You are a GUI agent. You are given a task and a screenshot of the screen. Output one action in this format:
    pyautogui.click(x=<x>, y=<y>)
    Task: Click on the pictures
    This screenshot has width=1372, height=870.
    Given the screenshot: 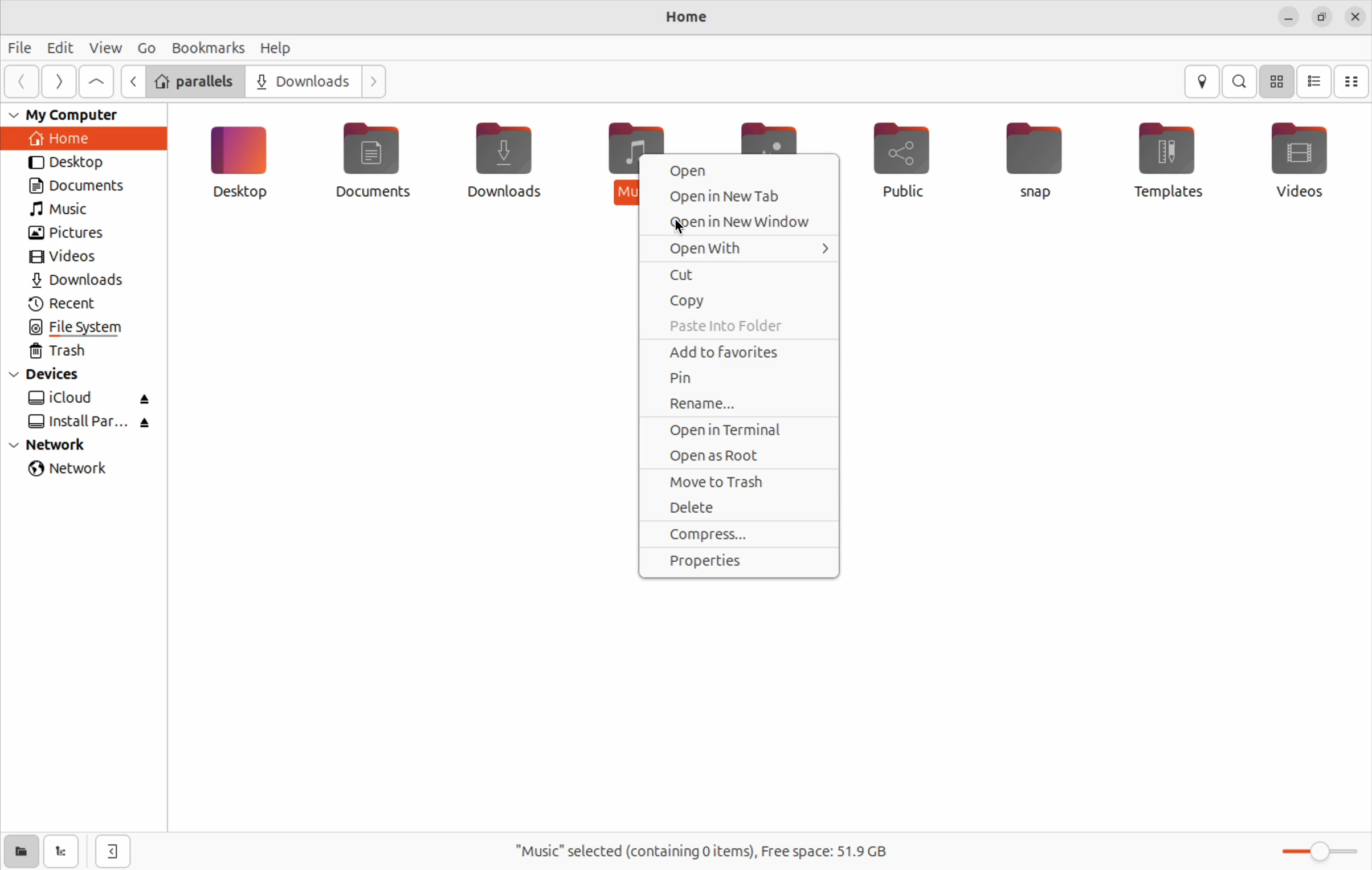 What is the action you would take?
    pyautogui.click(x=69, y=233)
    